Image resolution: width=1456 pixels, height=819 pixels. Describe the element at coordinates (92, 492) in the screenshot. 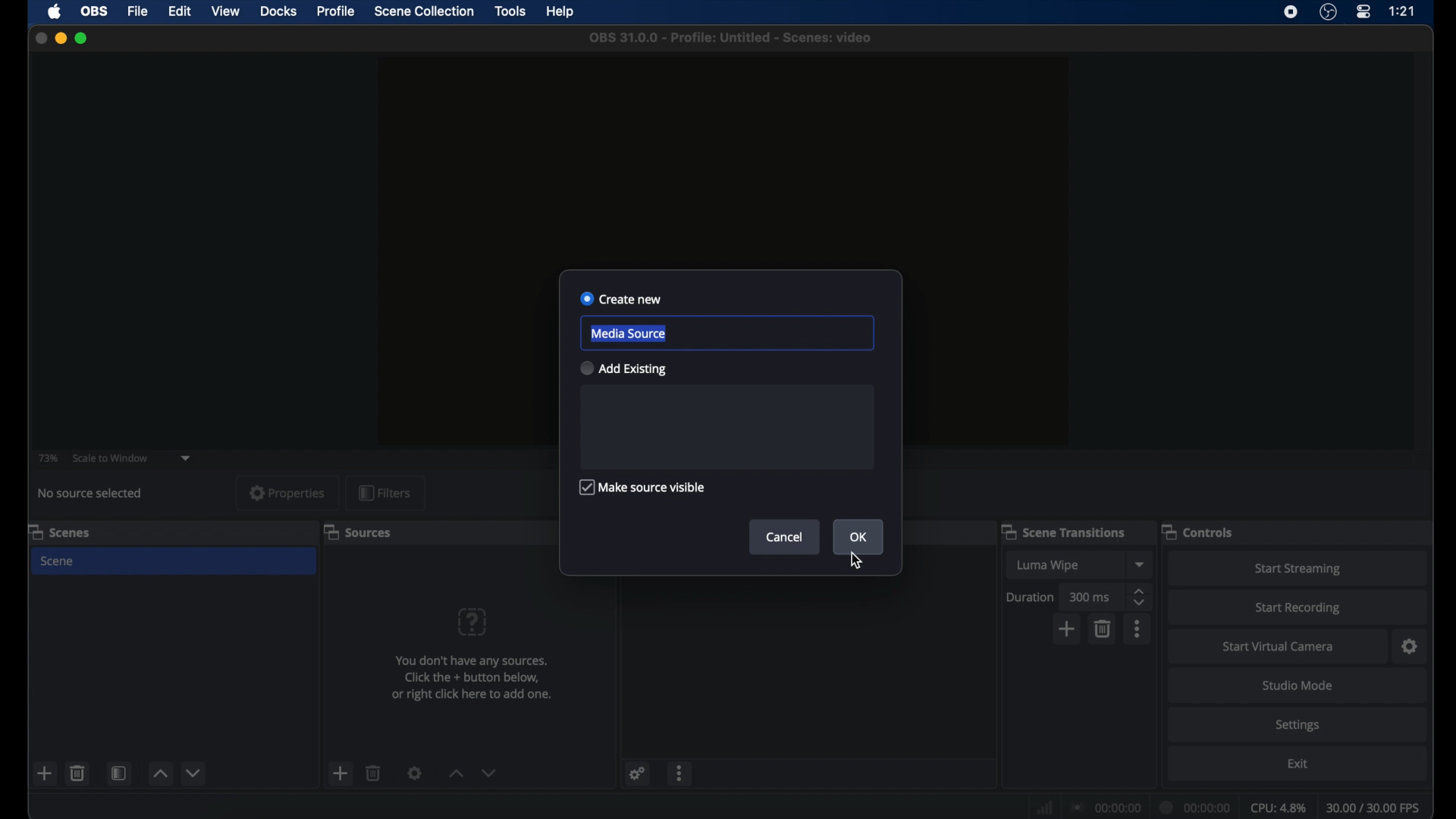

I see `no source selected` at that location.